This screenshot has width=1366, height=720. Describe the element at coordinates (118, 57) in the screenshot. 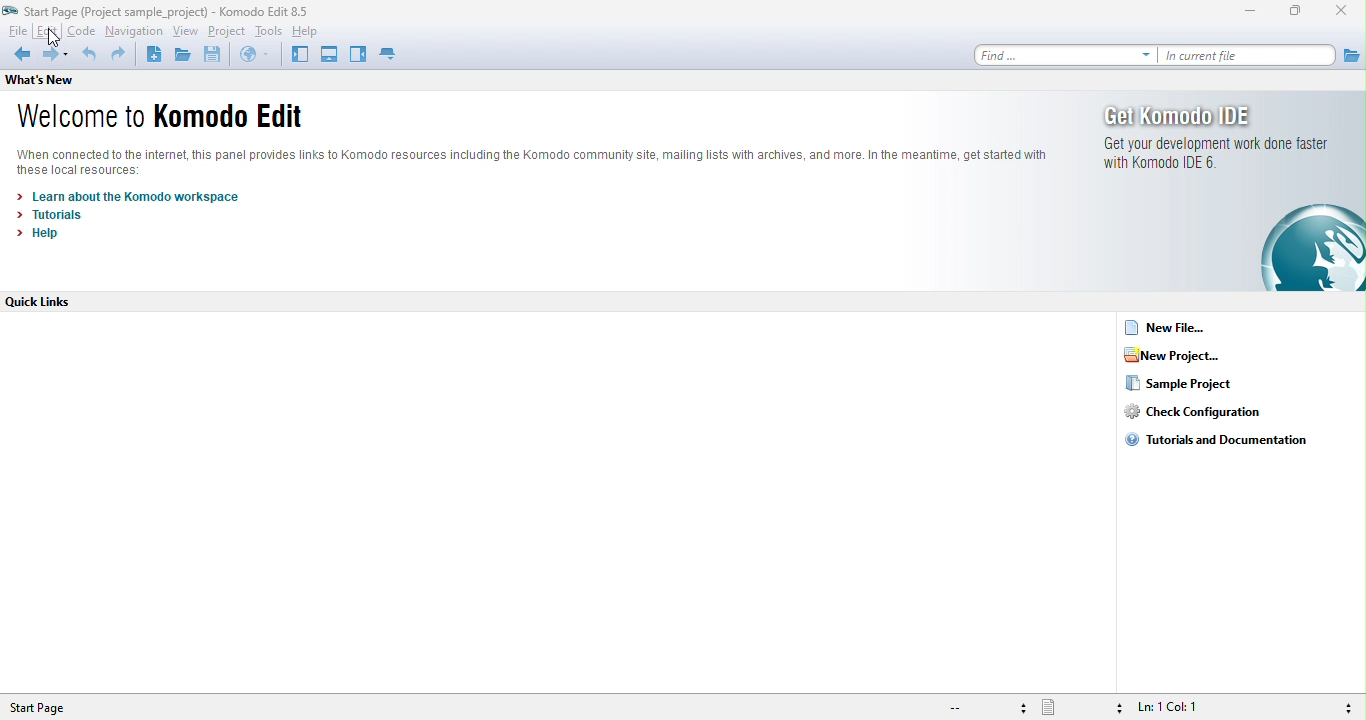

I see `redo` at that location.